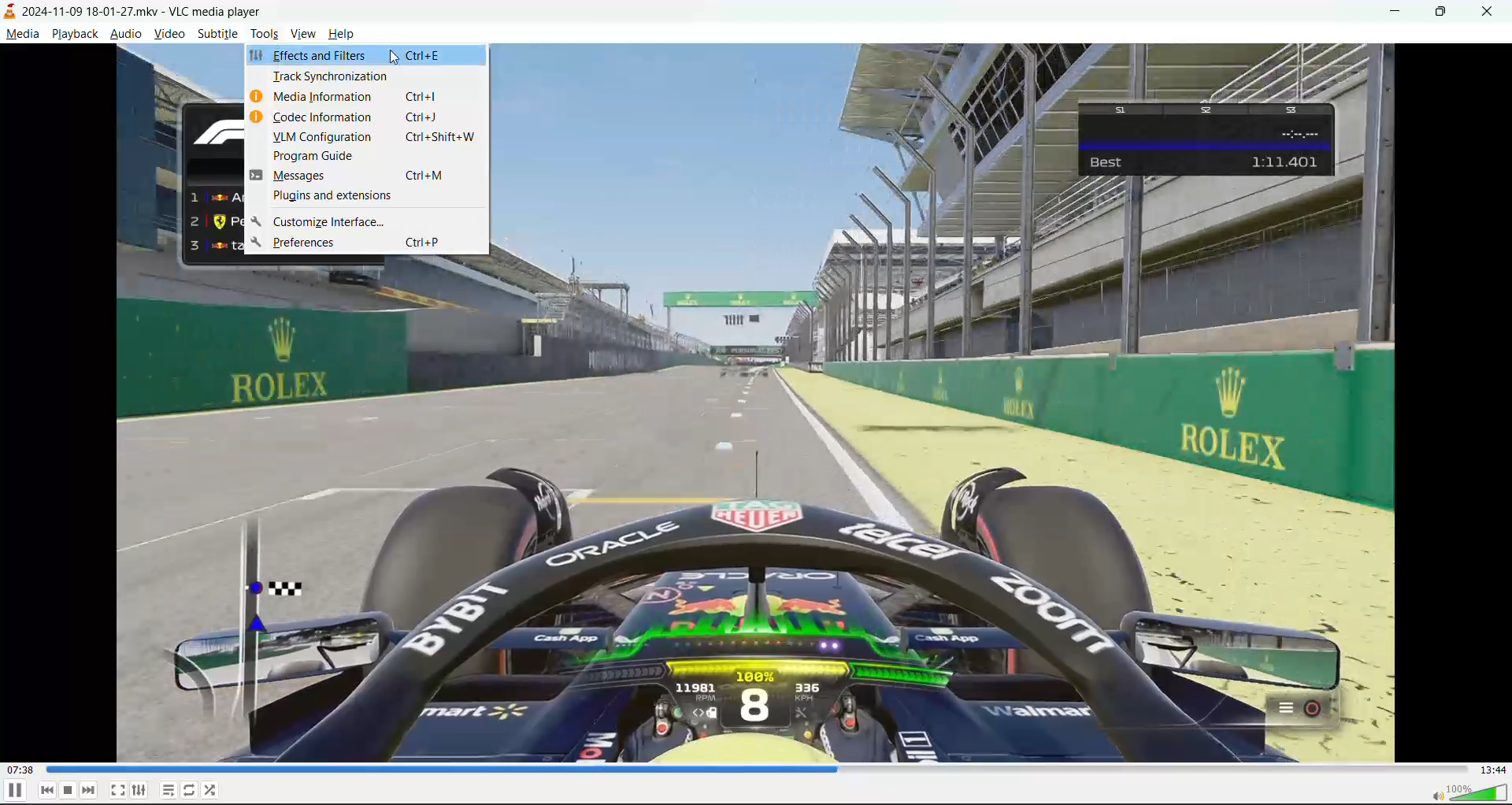 This screenshot has width=1512, height=805. I want to click on icon, so click(256, 56).